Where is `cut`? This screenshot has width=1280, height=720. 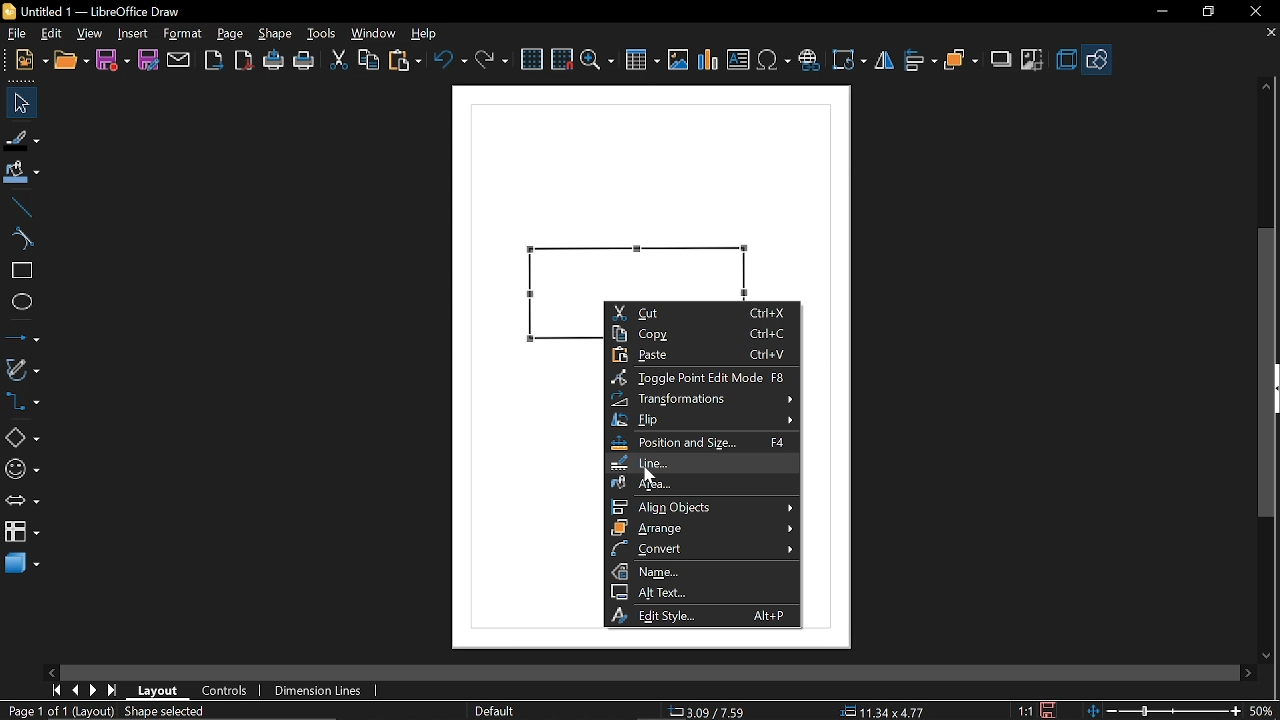
cut is located at coordinates (339, 62).